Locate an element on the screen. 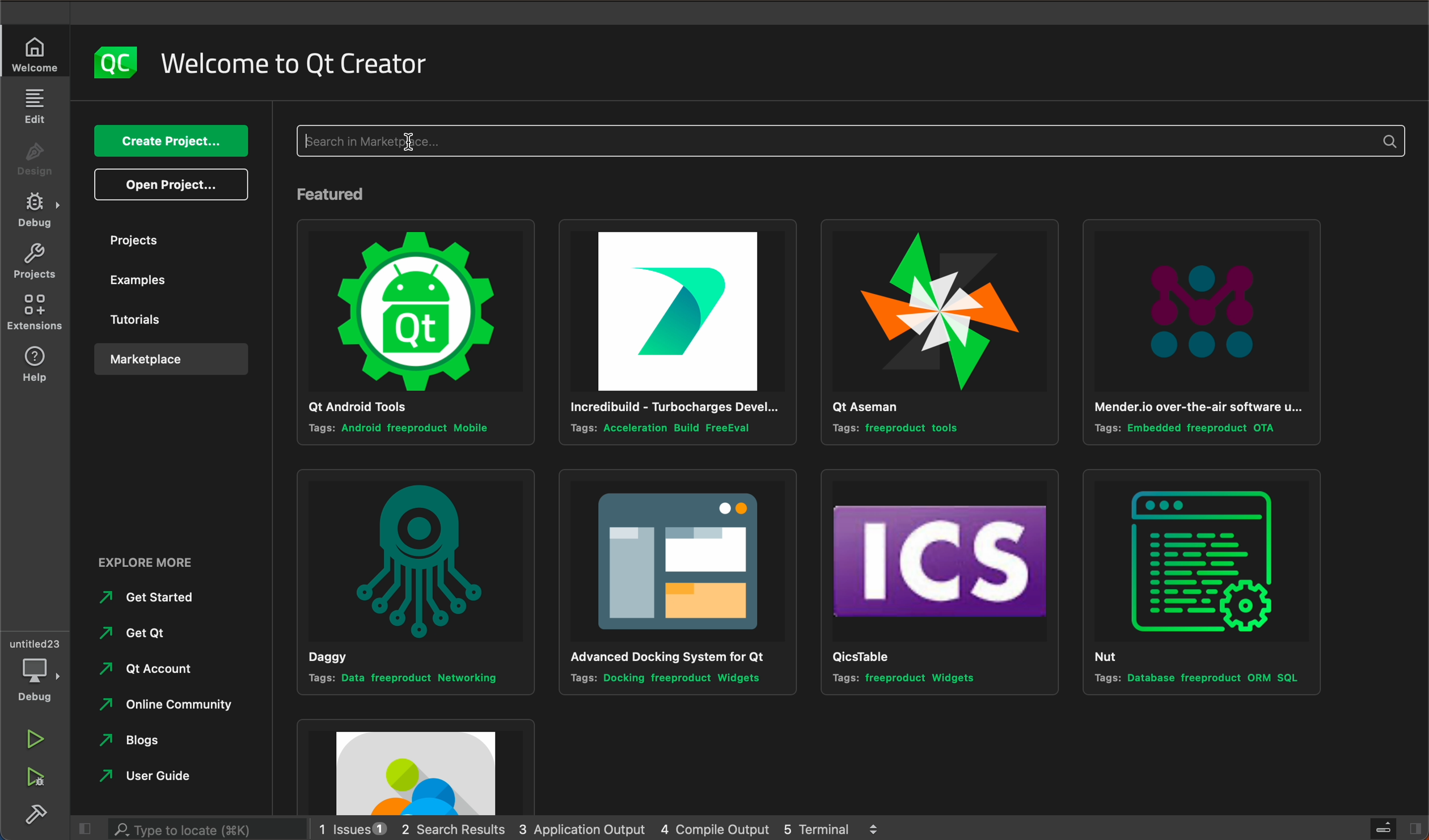 Image resolution: width=1429 pixels, height=840 pixels.  is located at coordinates (413, 581).